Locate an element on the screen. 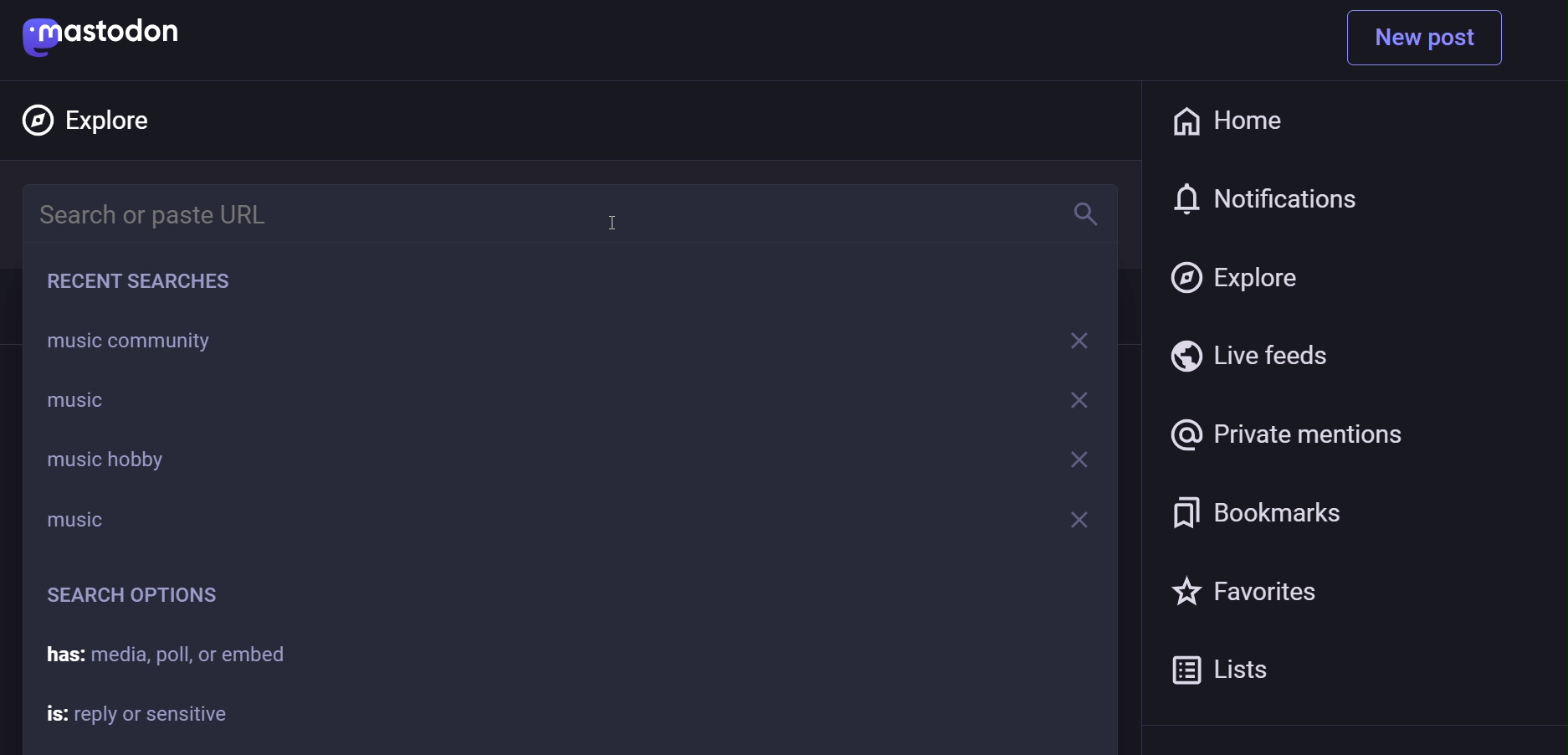 The image size is (1568, 755). has is located at coordinates (172, 655).